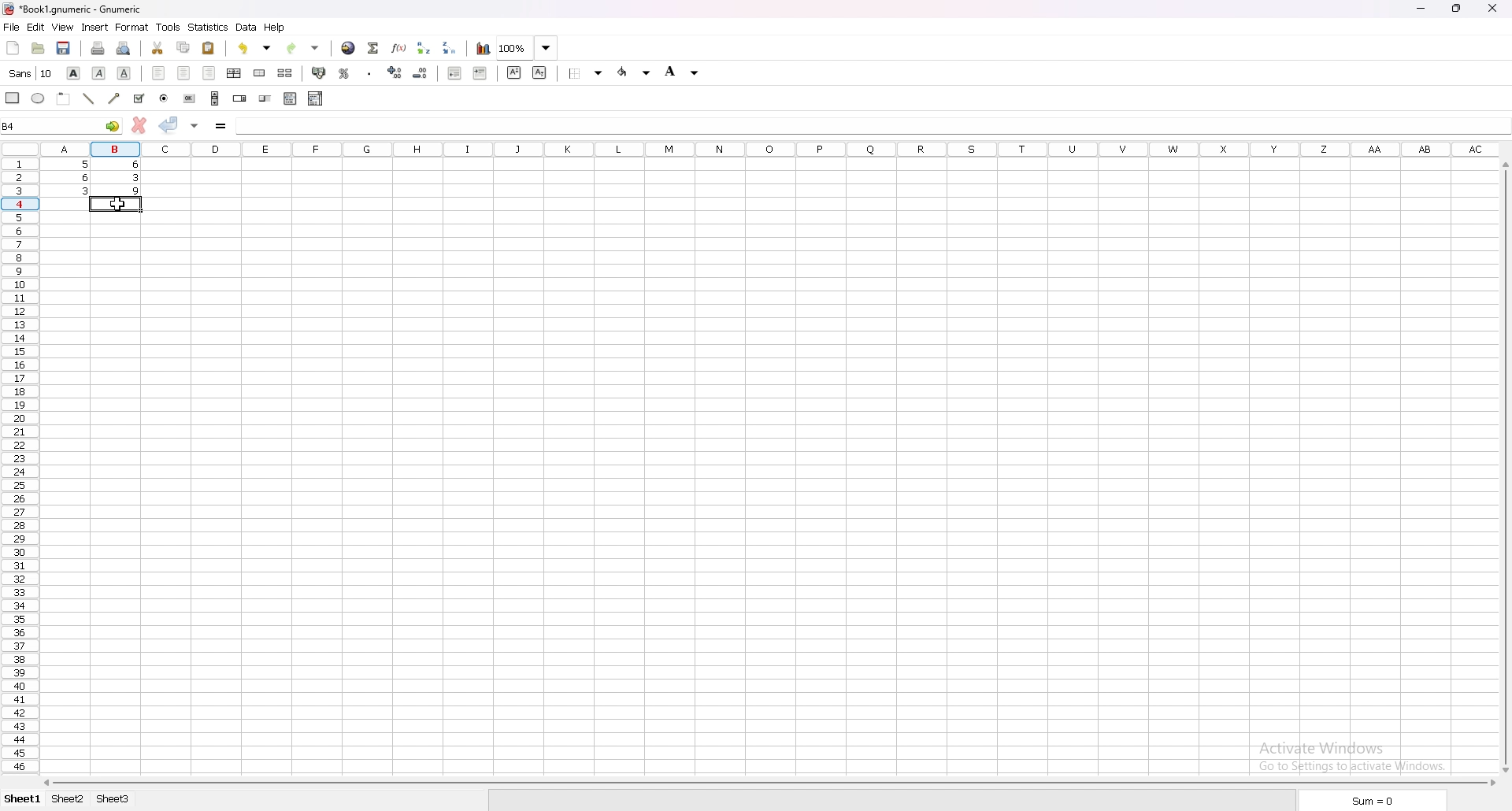 The image size is (1512, 811). Describe the element at coordinates (259, 73) in the screenshot. I see `merged cell` at that location.